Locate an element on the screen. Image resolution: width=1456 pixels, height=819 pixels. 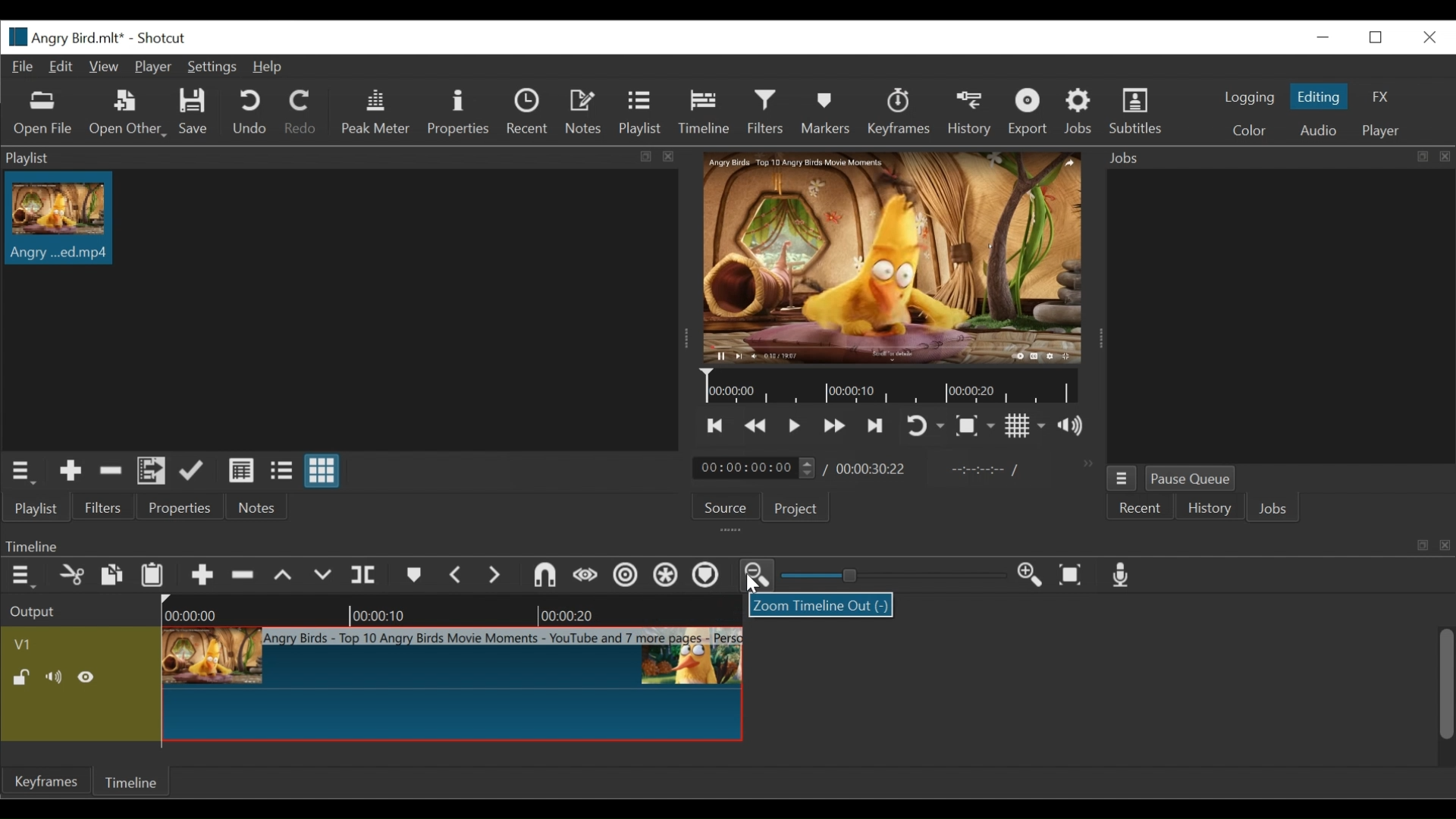
Restore is located at coordinates (1377, 39).